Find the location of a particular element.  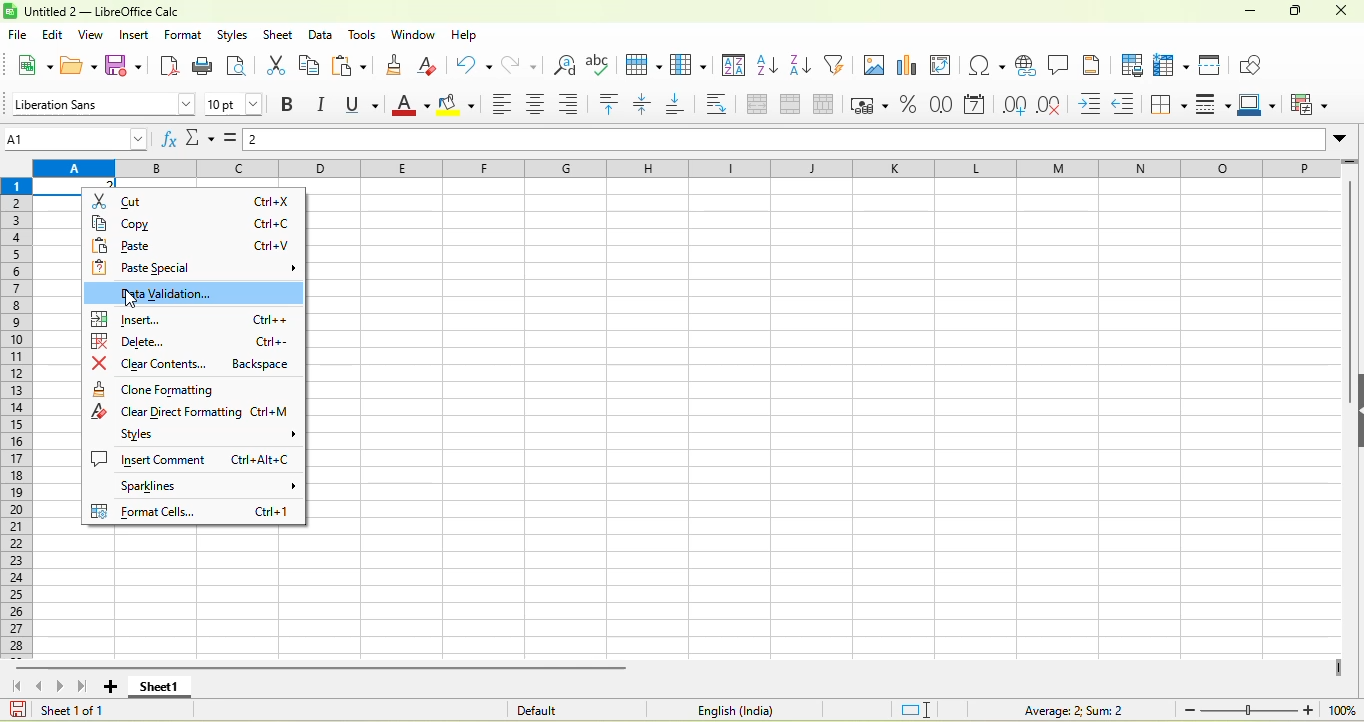

cut is located at coordinates (273, 67).